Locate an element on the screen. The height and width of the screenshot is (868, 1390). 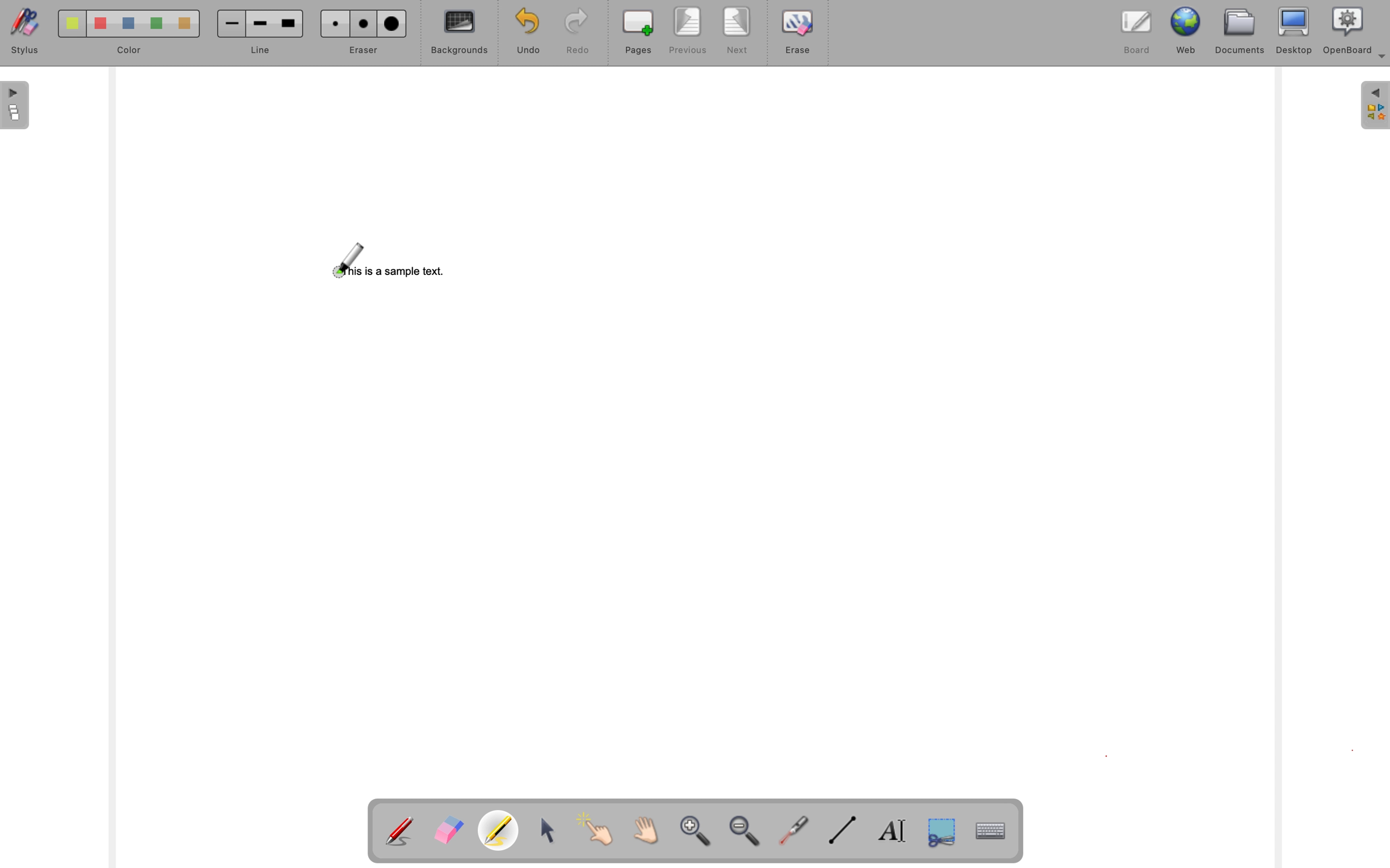
Color 5 is located at coordinates (185, 24).